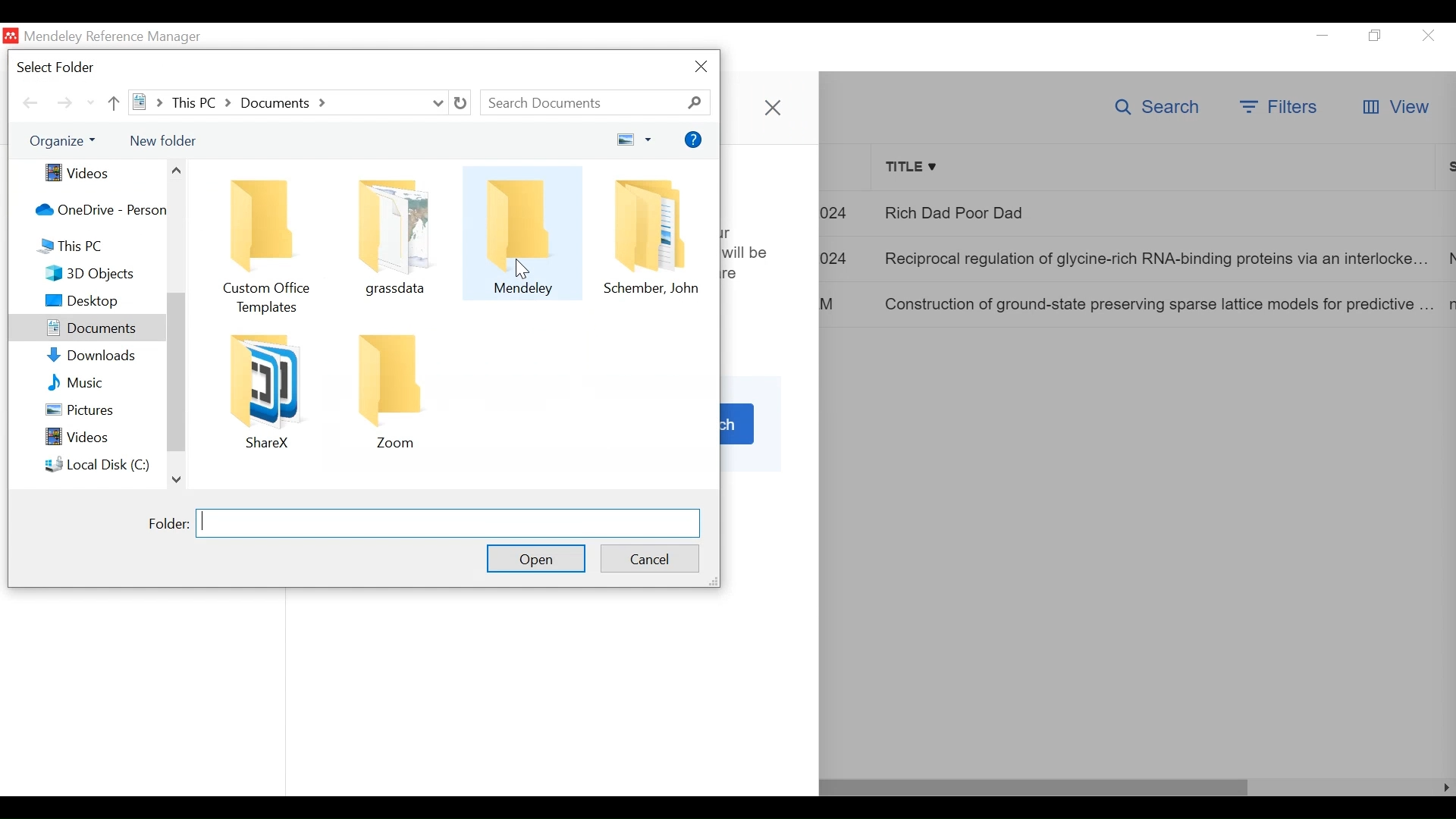 The height and width of the screenshot is (819, 1456). Describe the element at coordinates (99, 465) in the screenshot. I see `Local Disk (C:)` at that location.